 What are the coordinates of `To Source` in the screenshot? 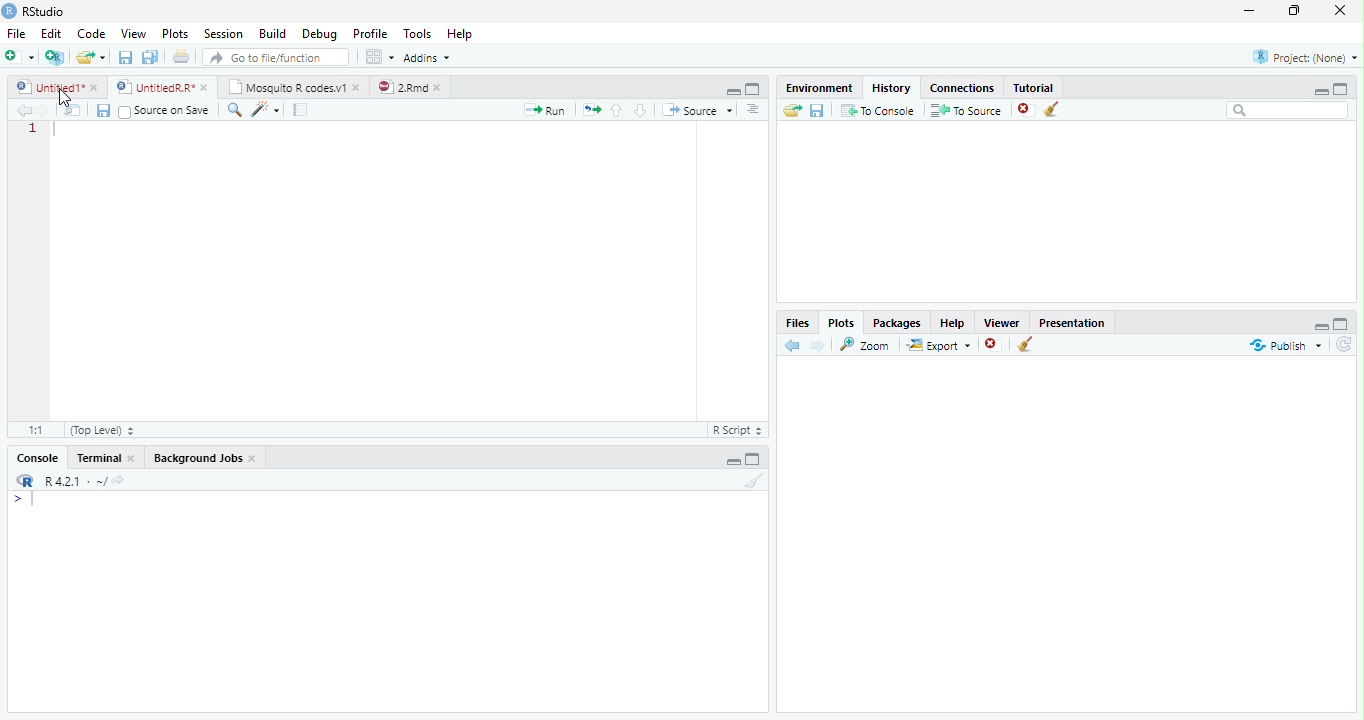 It's located at (966, 110).